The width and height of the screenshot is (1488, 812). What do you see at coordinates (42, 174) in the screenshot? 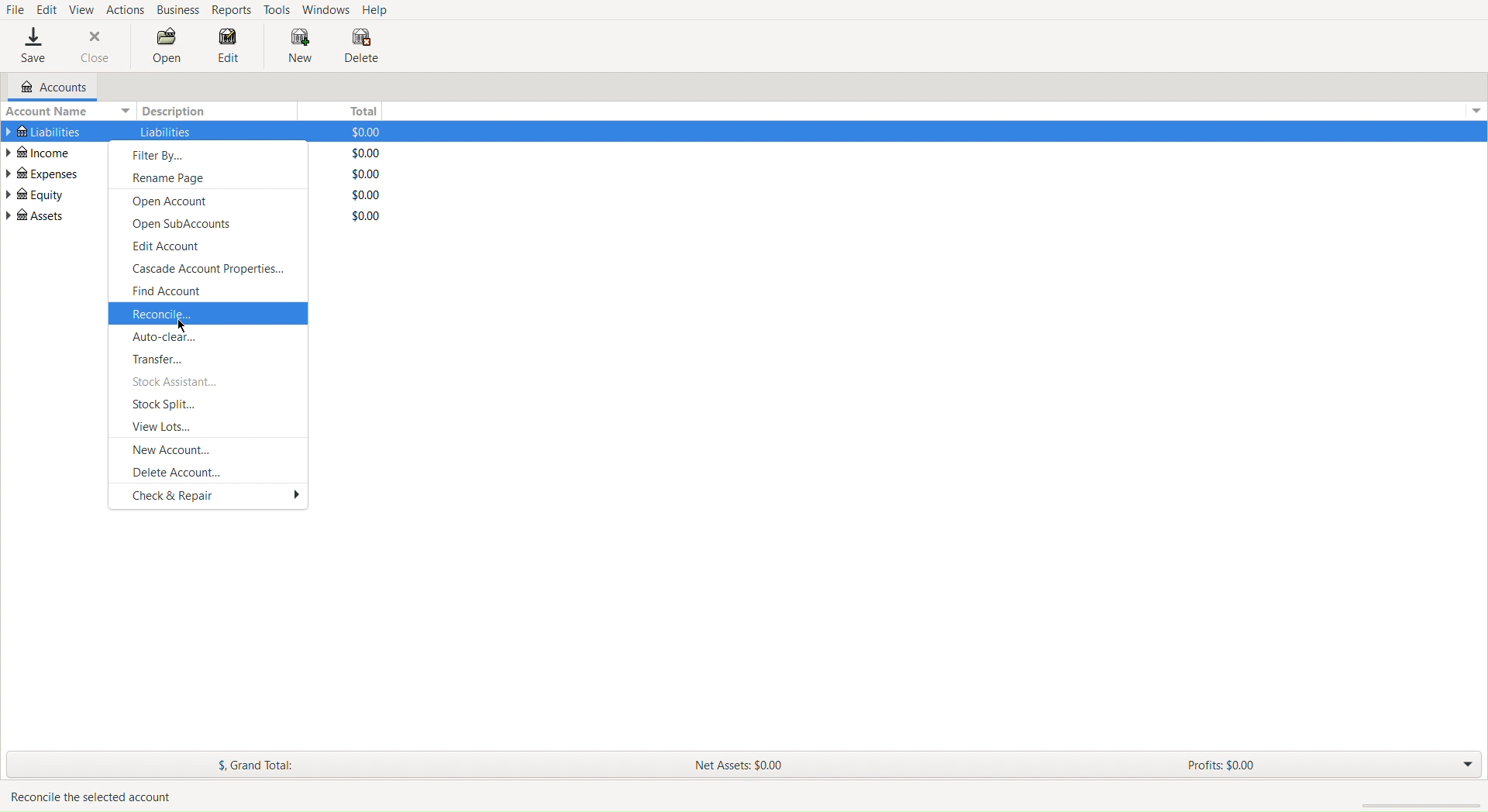
I see `Expenses` at bounding box center [42, 174].